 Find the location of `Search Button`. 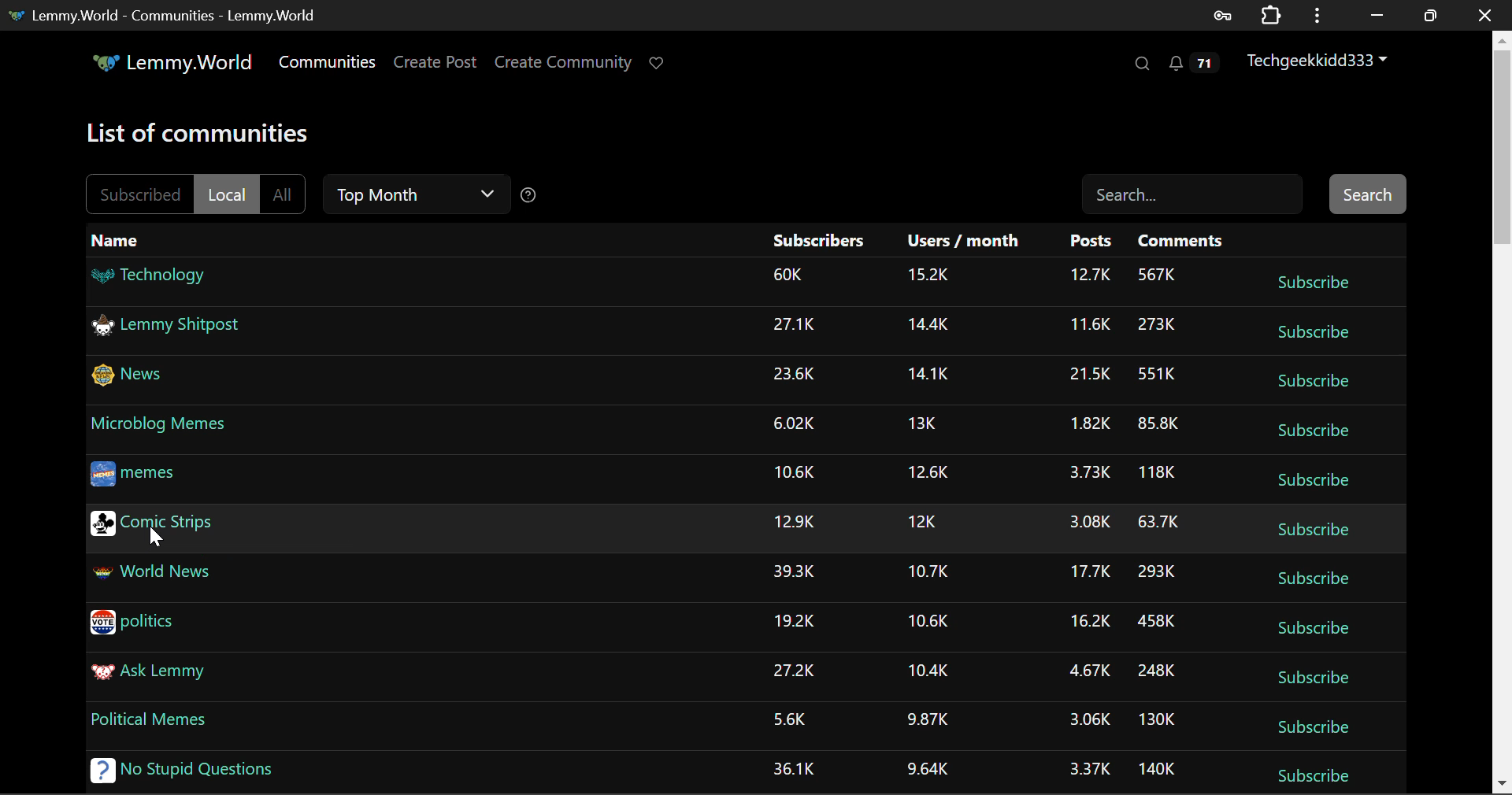

Search Button is located at coordinates (1367, 192).